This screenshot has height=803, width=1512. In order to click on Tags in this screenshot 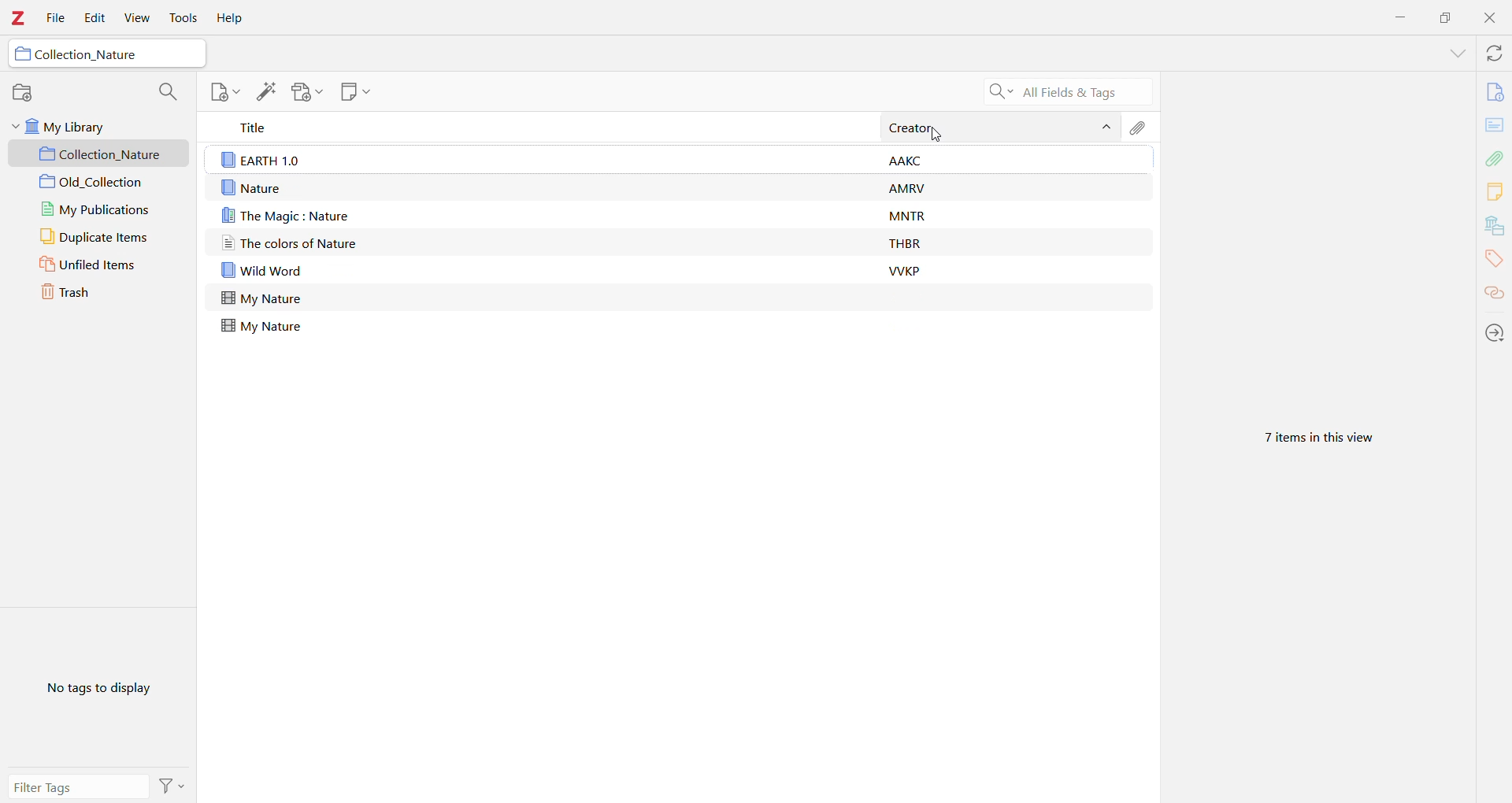, I will do `click(1493, 258)`.